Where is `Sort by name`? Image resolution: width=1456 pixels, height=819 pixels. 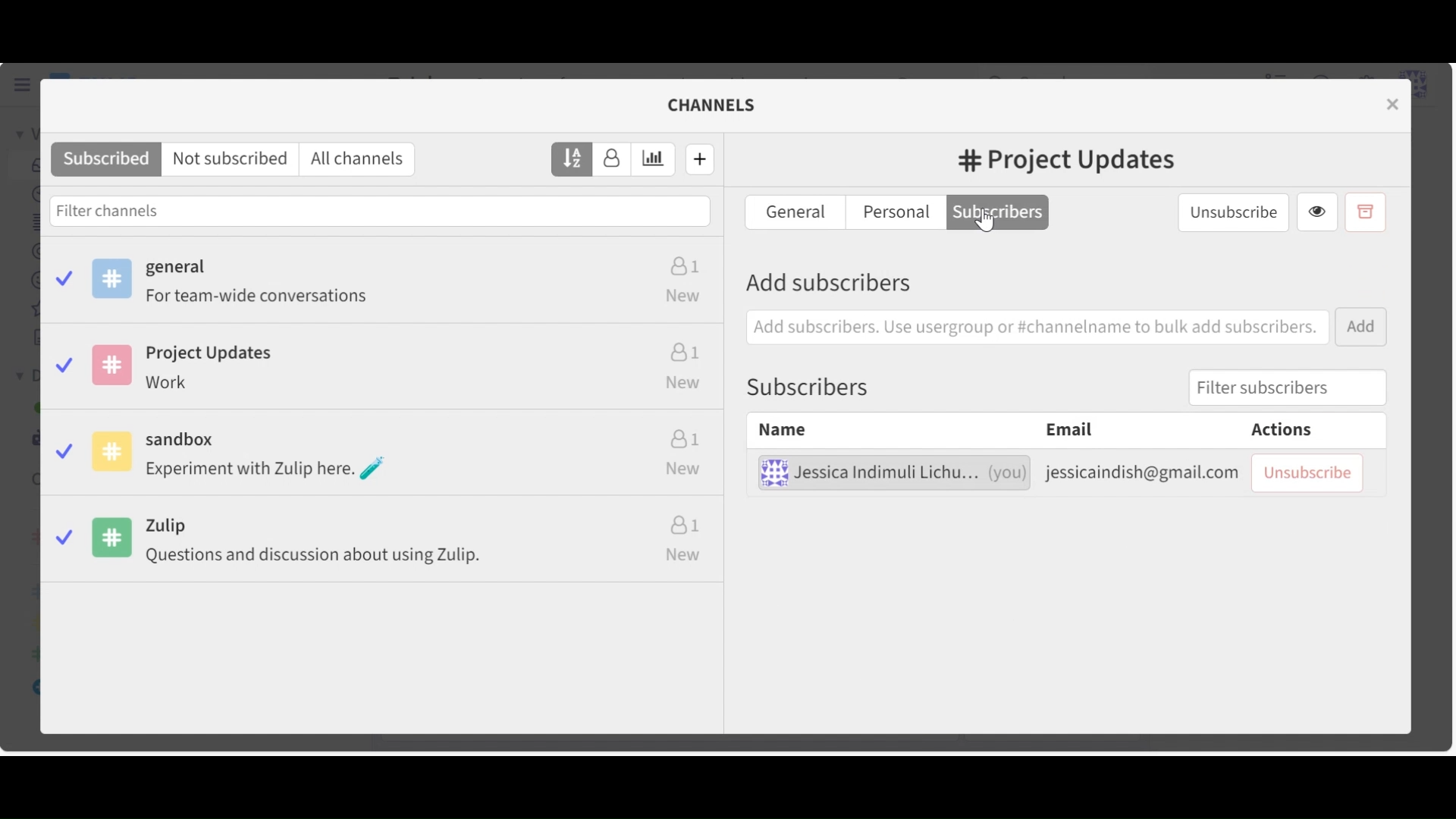
Sort by name is located at coordinates (572, 158).